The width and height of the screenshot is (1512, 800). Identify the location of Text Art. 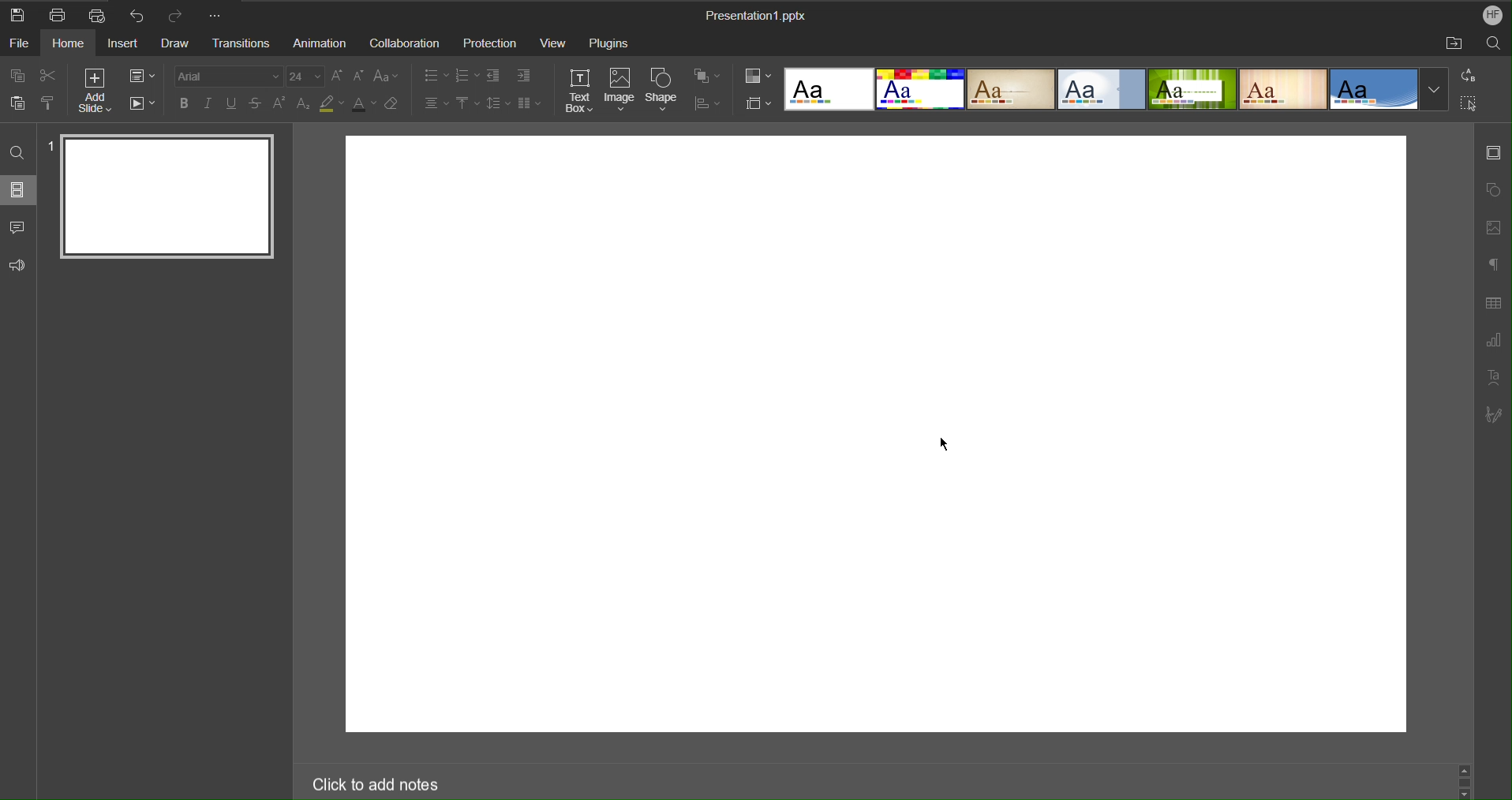
(1493, 379).